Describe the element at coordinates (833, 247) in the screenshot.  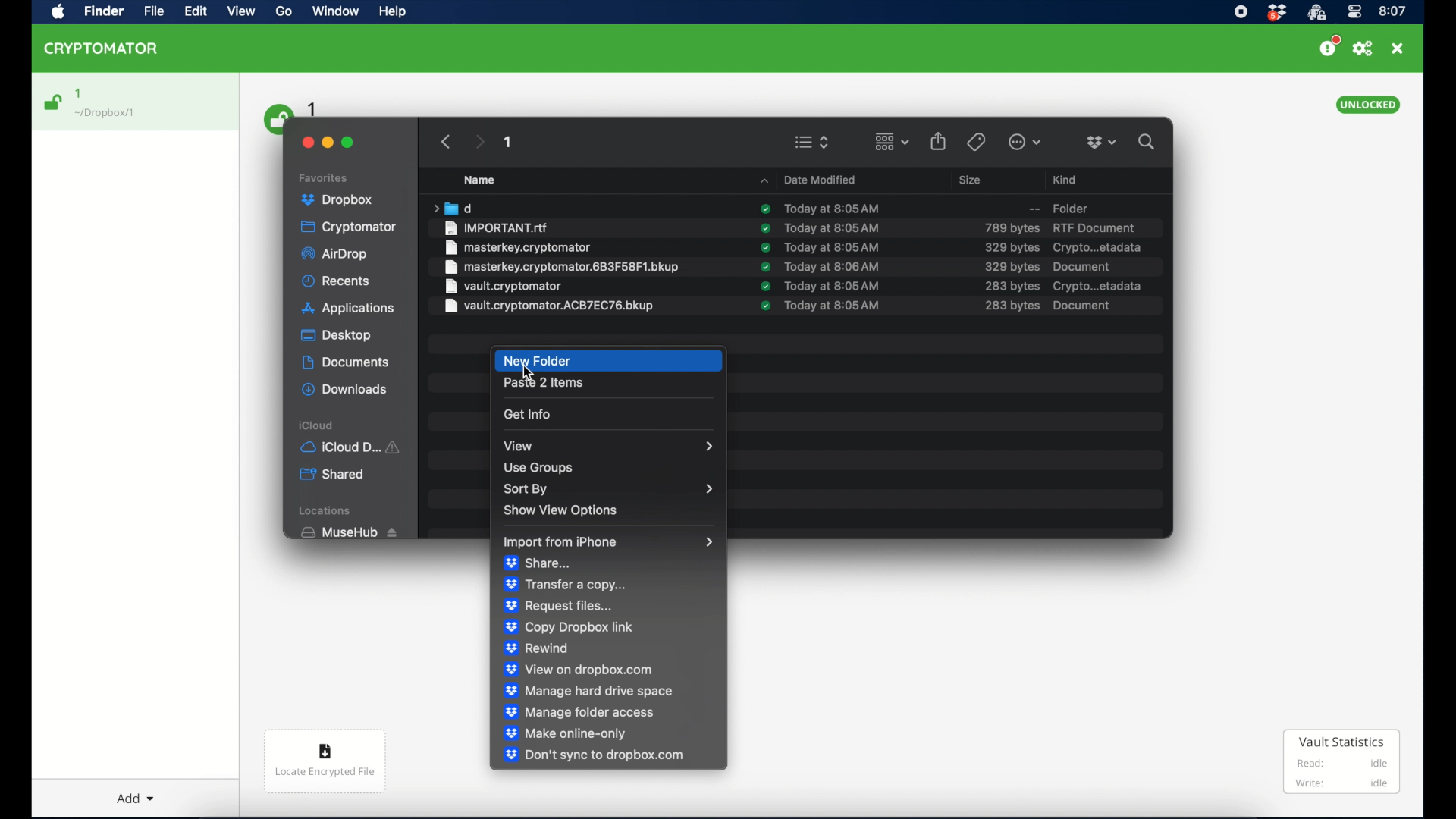
I see `date` at that location.